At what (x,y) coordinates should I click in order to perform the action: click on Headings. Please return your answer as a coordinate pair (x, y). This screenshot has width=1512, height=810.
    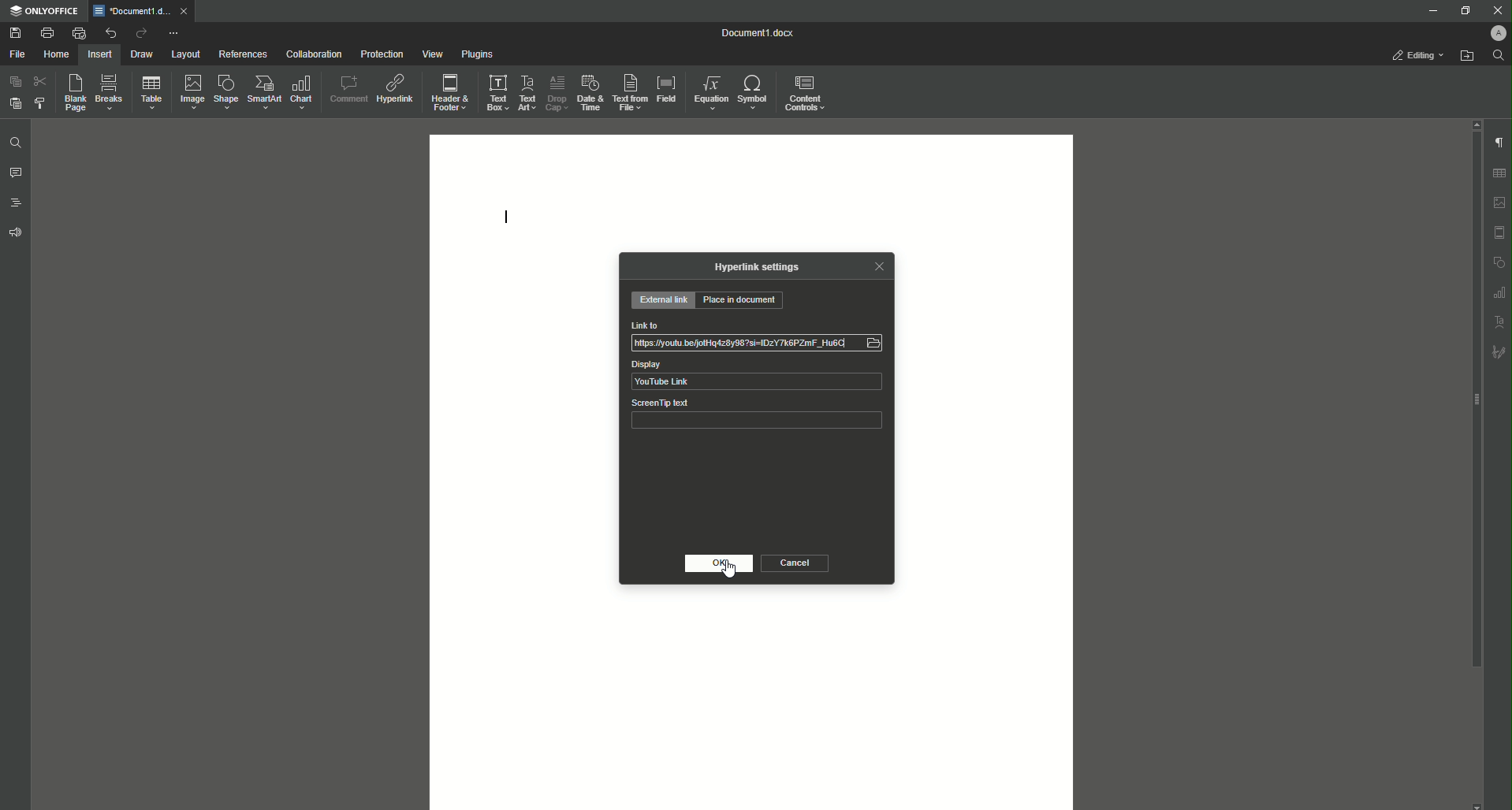
    Looking at the image, I should click on (16, 203).